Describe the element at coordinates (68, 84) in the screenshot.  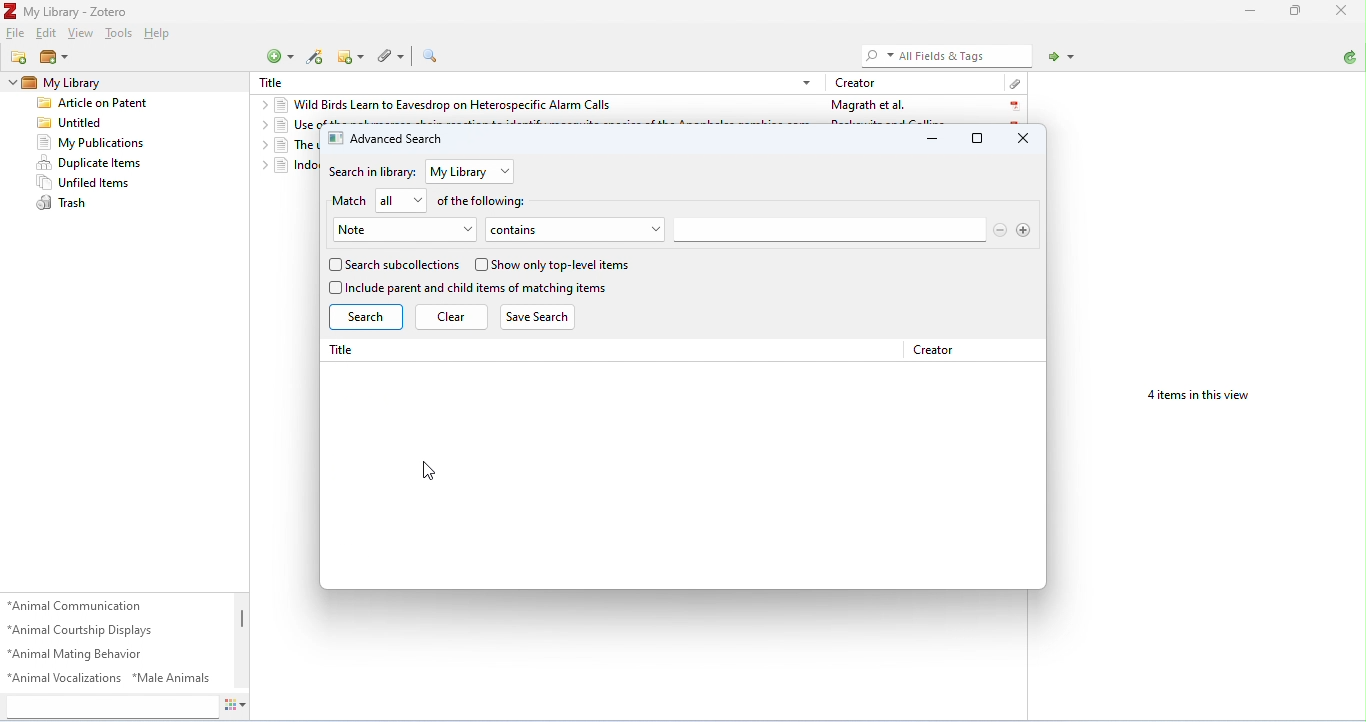
I see `my library` at that location.